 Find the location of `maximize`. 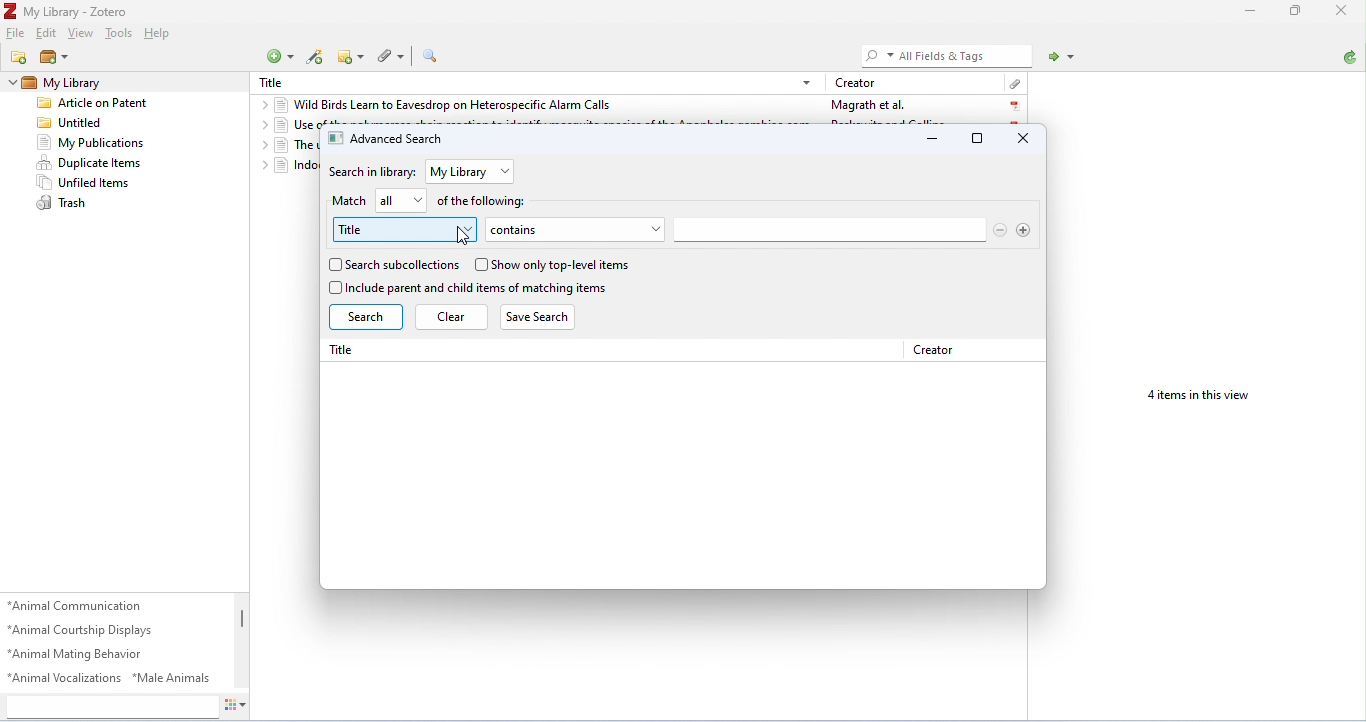

maximize is located at coordinates (1292, 11).